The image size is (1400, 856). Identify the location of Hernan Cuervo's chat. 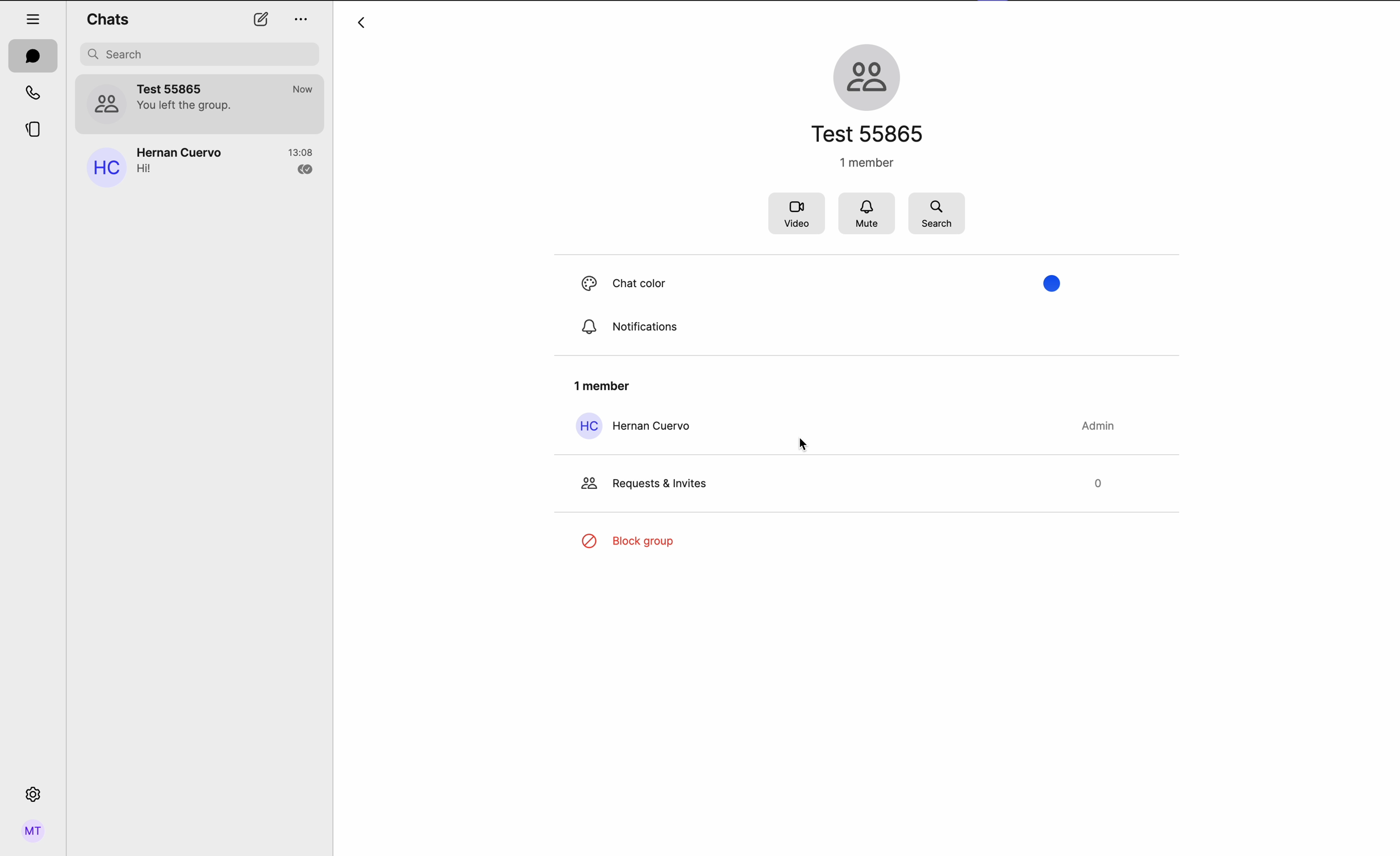
(227, 165).